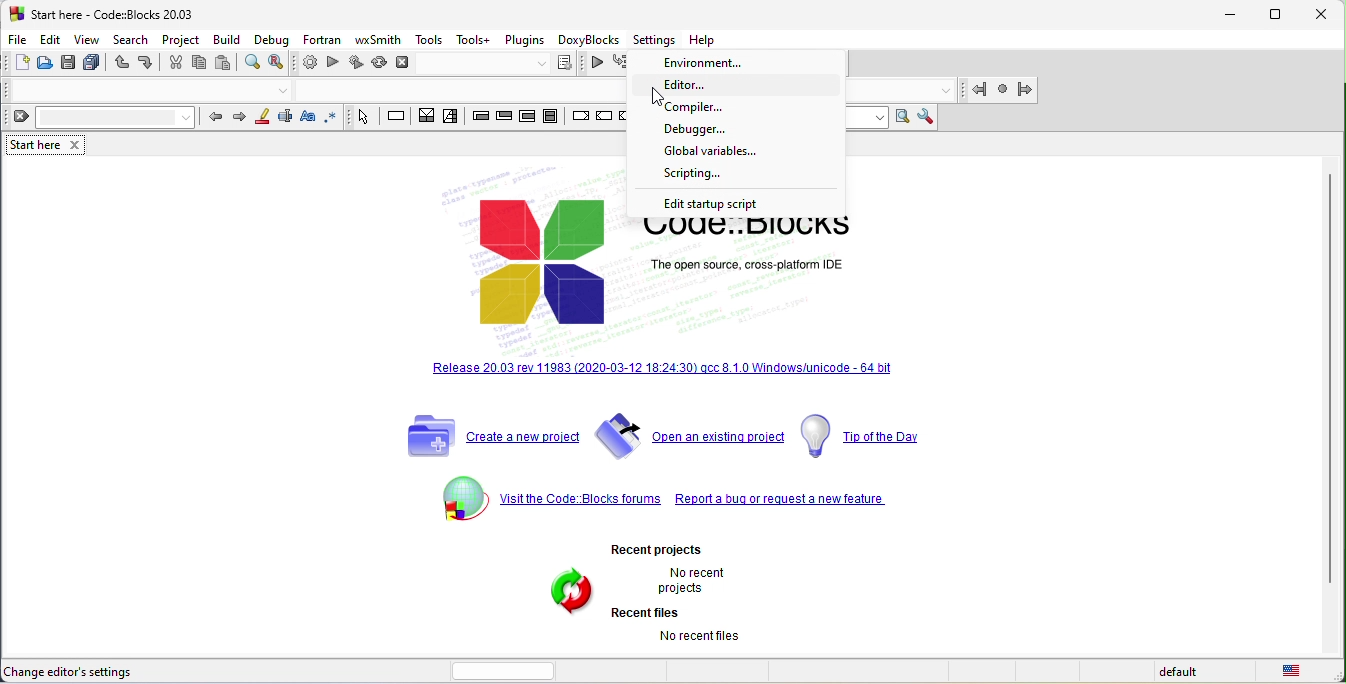 The height and width of the screenshot is (684, 1346). I want to click on paste, so click(228, 65).